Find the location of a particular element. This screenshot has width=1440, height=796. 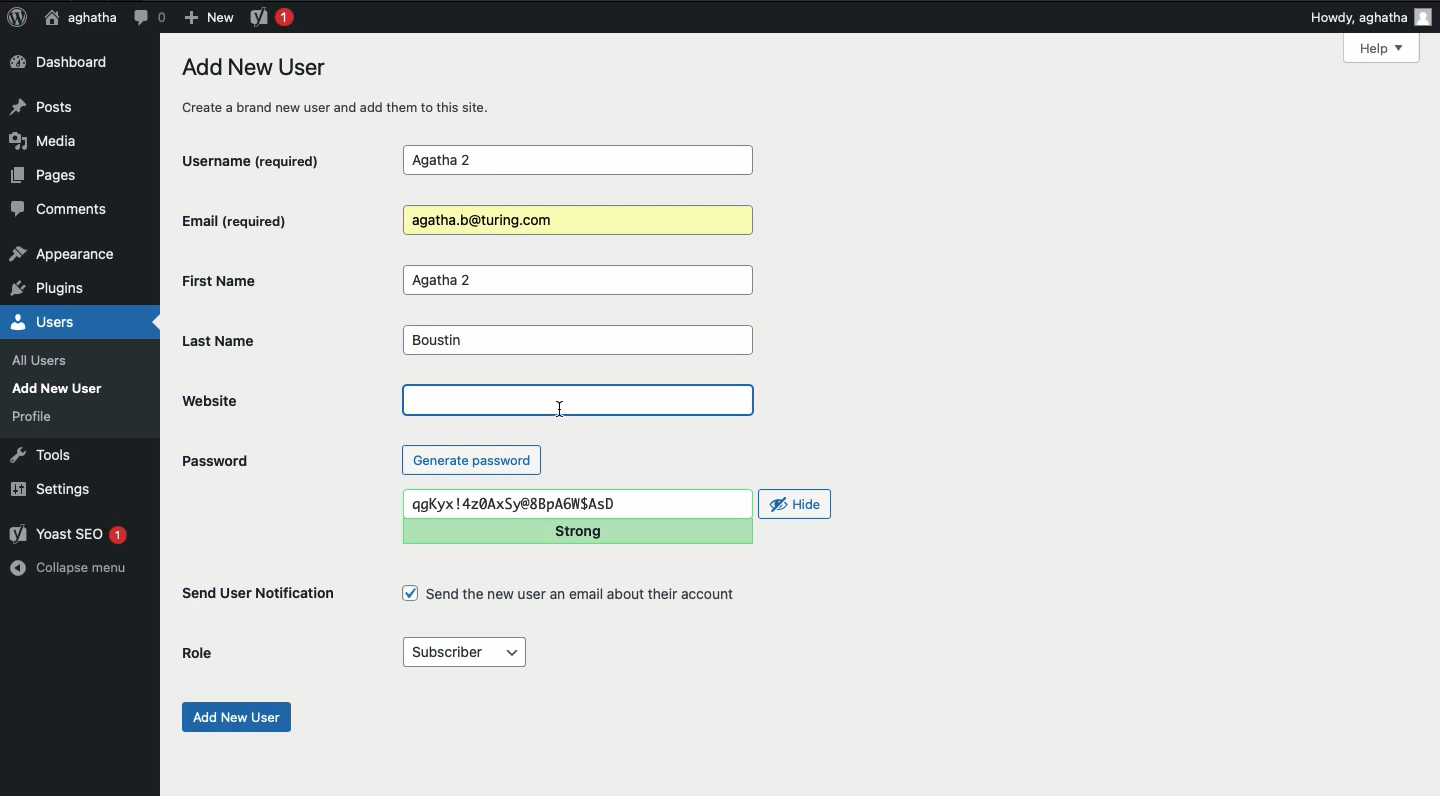

Posts is located at coordinates (47, 105).